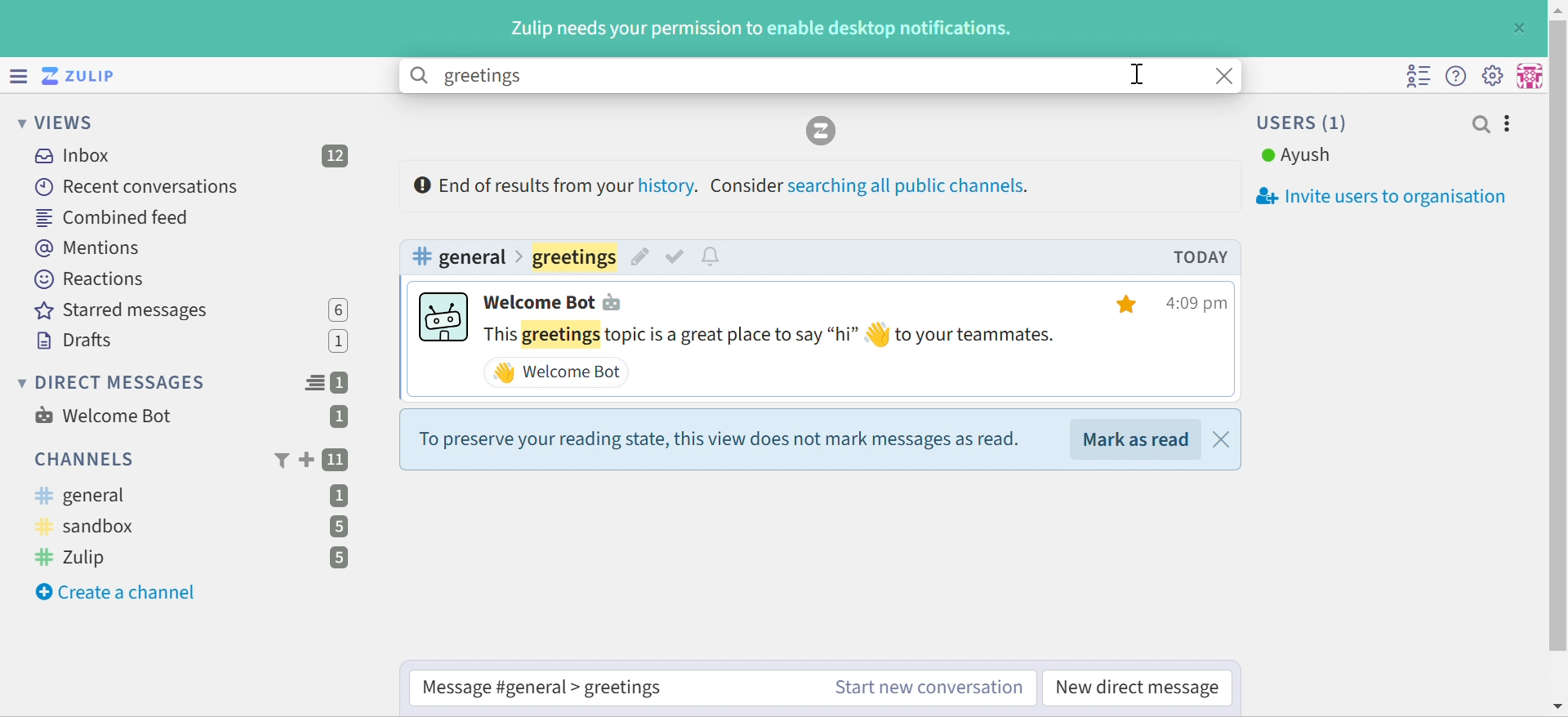  Describe the element at coordinates (718, 439) in the screenshot. I see `To preserve your reading state, this view does not mark messages as read.` at that location.